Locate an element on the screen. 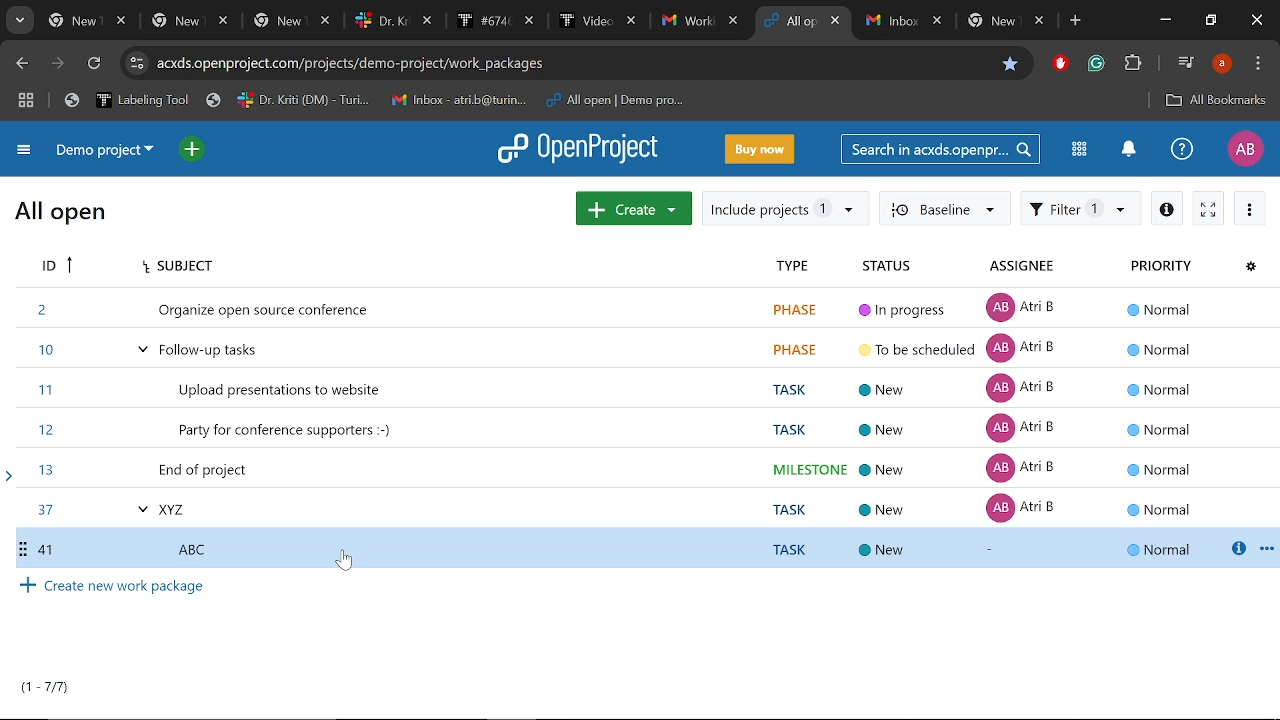 The height and width of the screenshot is (720, 1280). Configure view is located at coordinates (1250, 268).